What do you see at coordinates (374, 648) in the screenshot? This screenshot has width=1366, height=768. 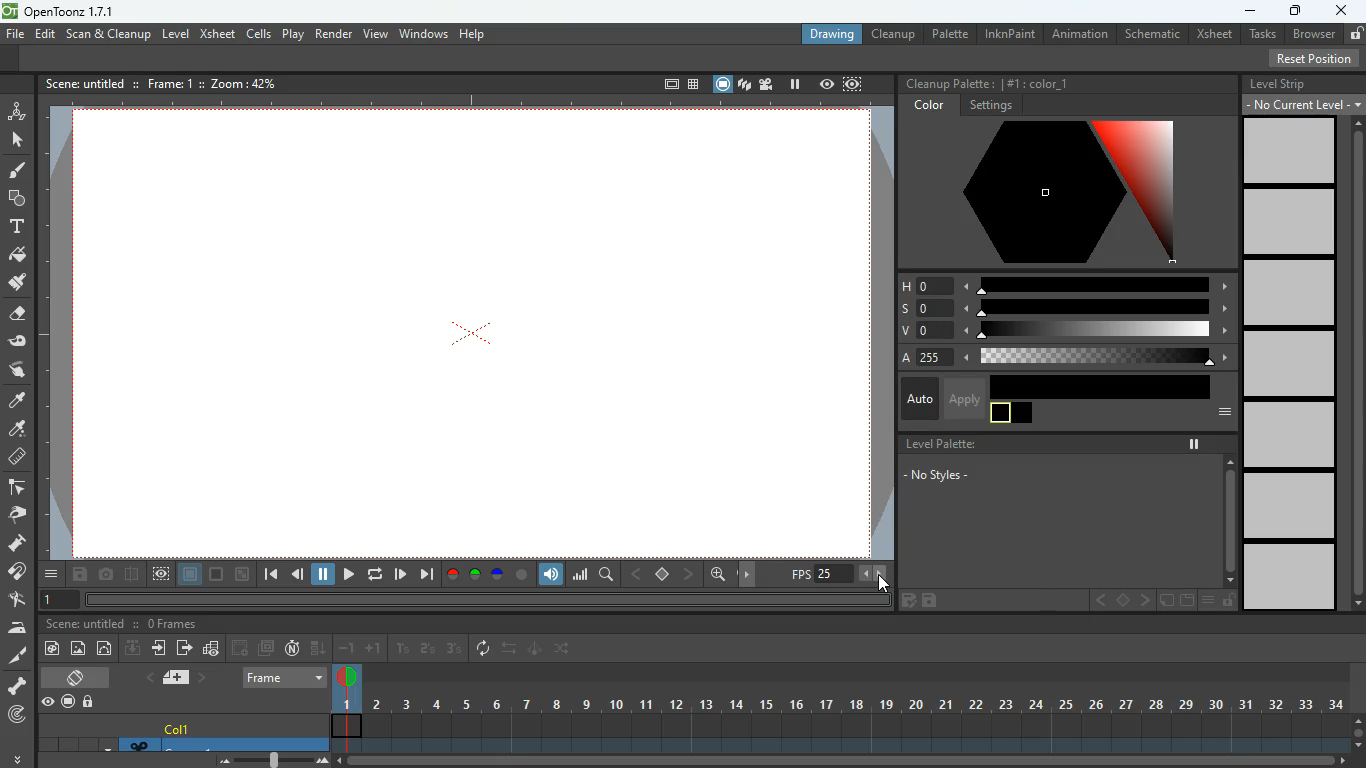 I see `+1` at bounding box center [374, 648].